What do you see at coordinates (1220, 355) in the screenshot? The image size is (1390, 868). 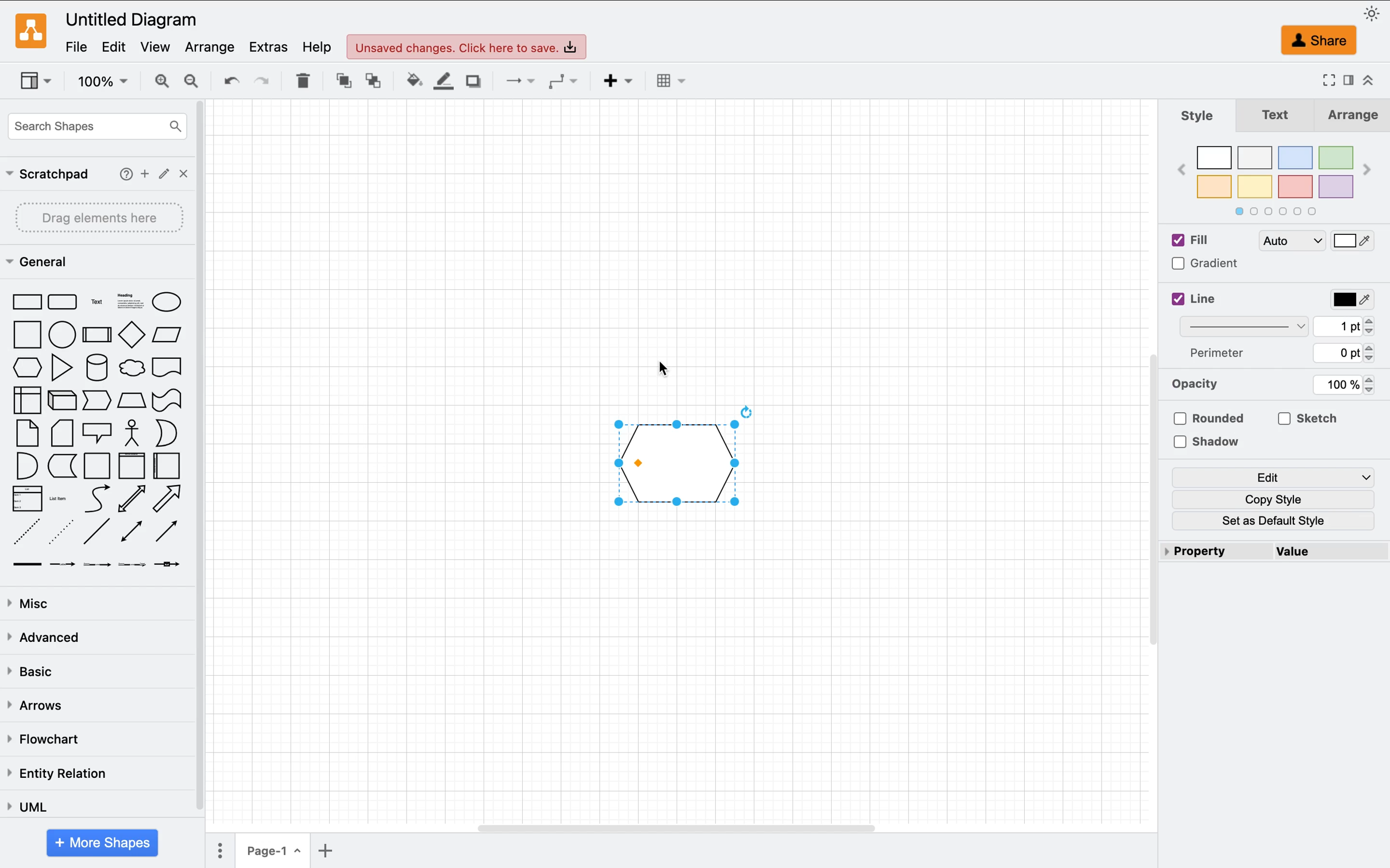 I see `Perimeter` at bounding box center [1220, 355].